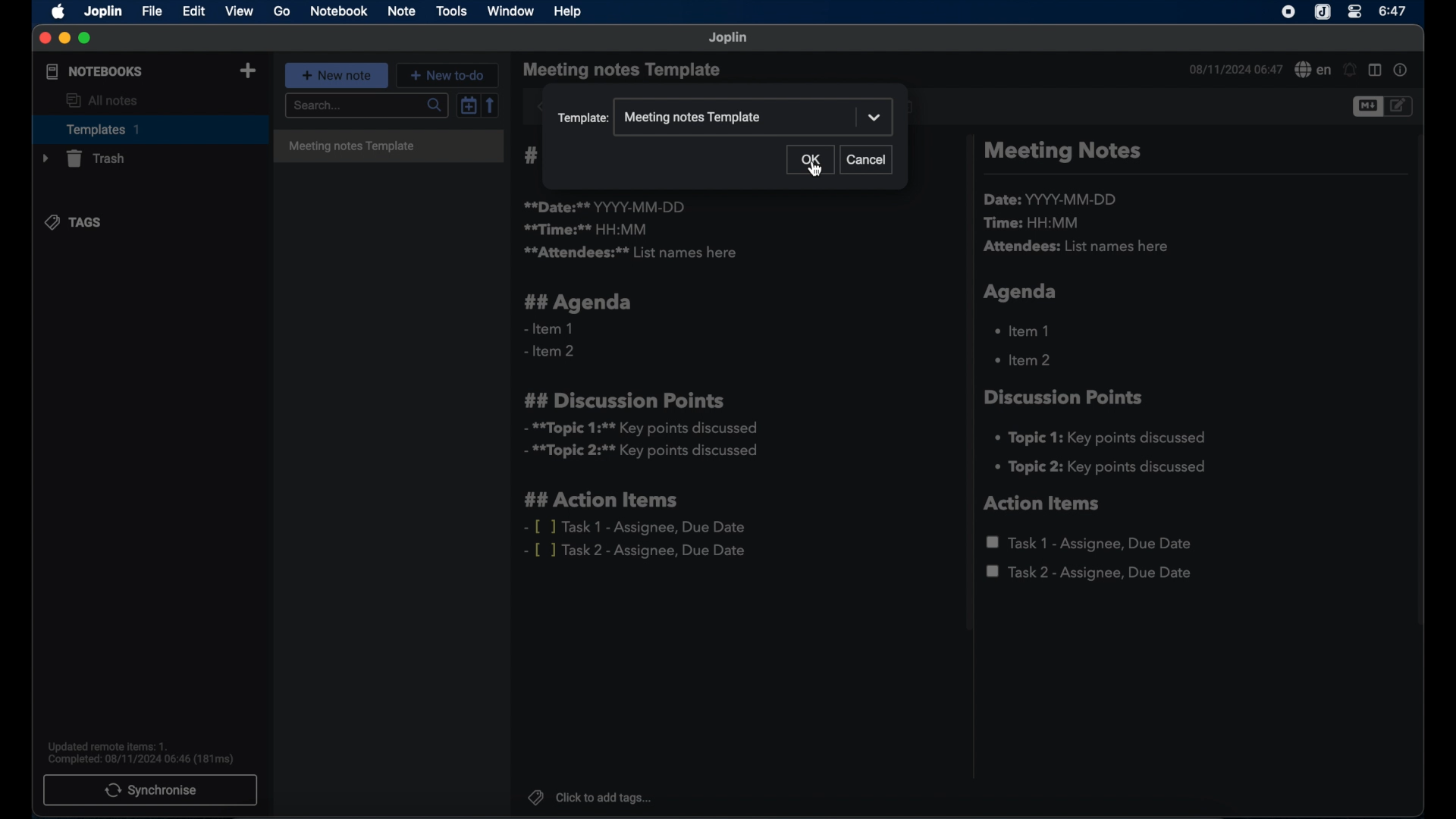 Image resolution: width=1456 pixels, height=819 pixels. I want to click on item 1, so click(1025, 330).